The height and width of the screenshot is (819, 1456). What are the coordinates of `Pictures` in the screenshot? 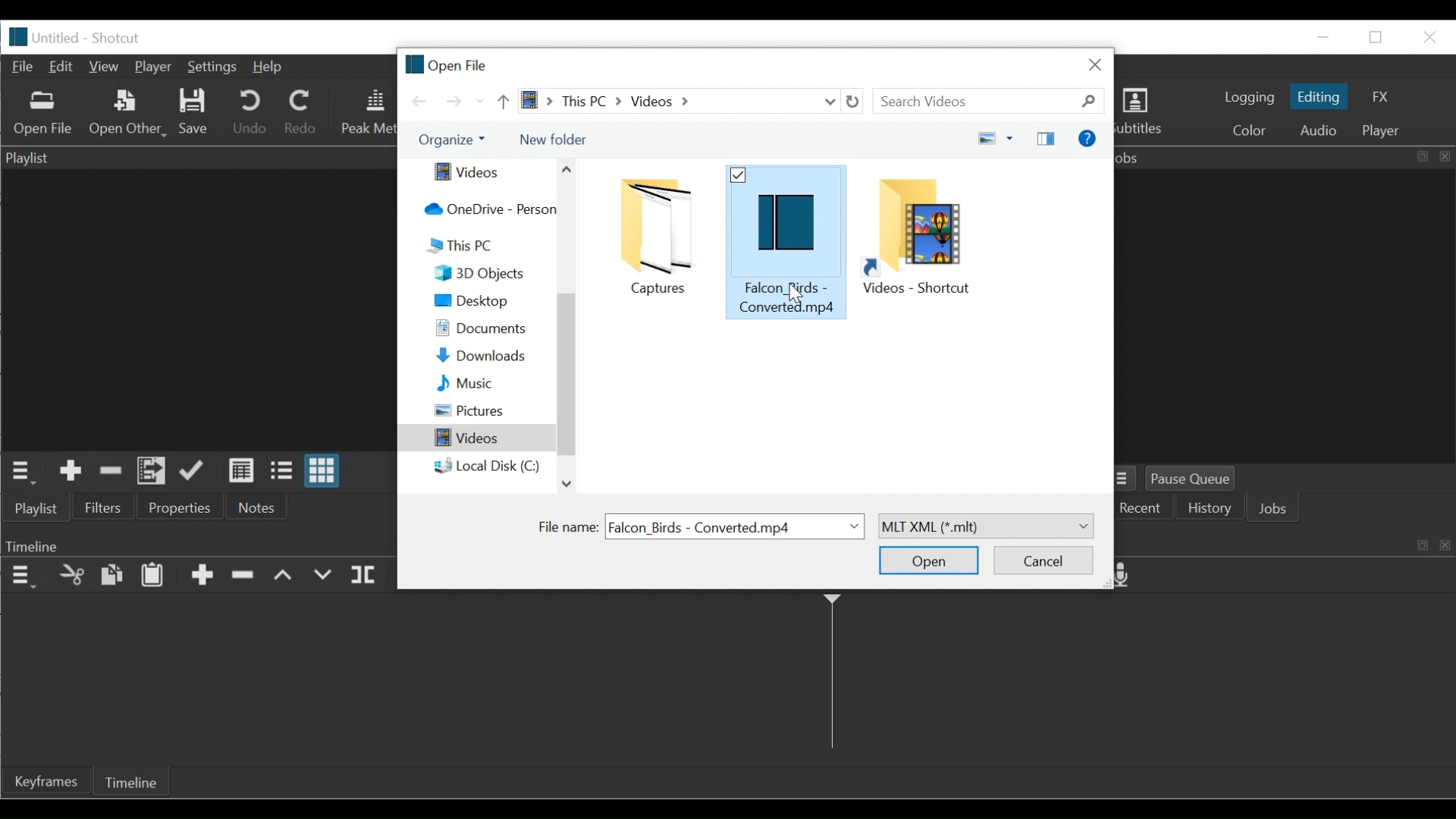 It's located at (492, 411).